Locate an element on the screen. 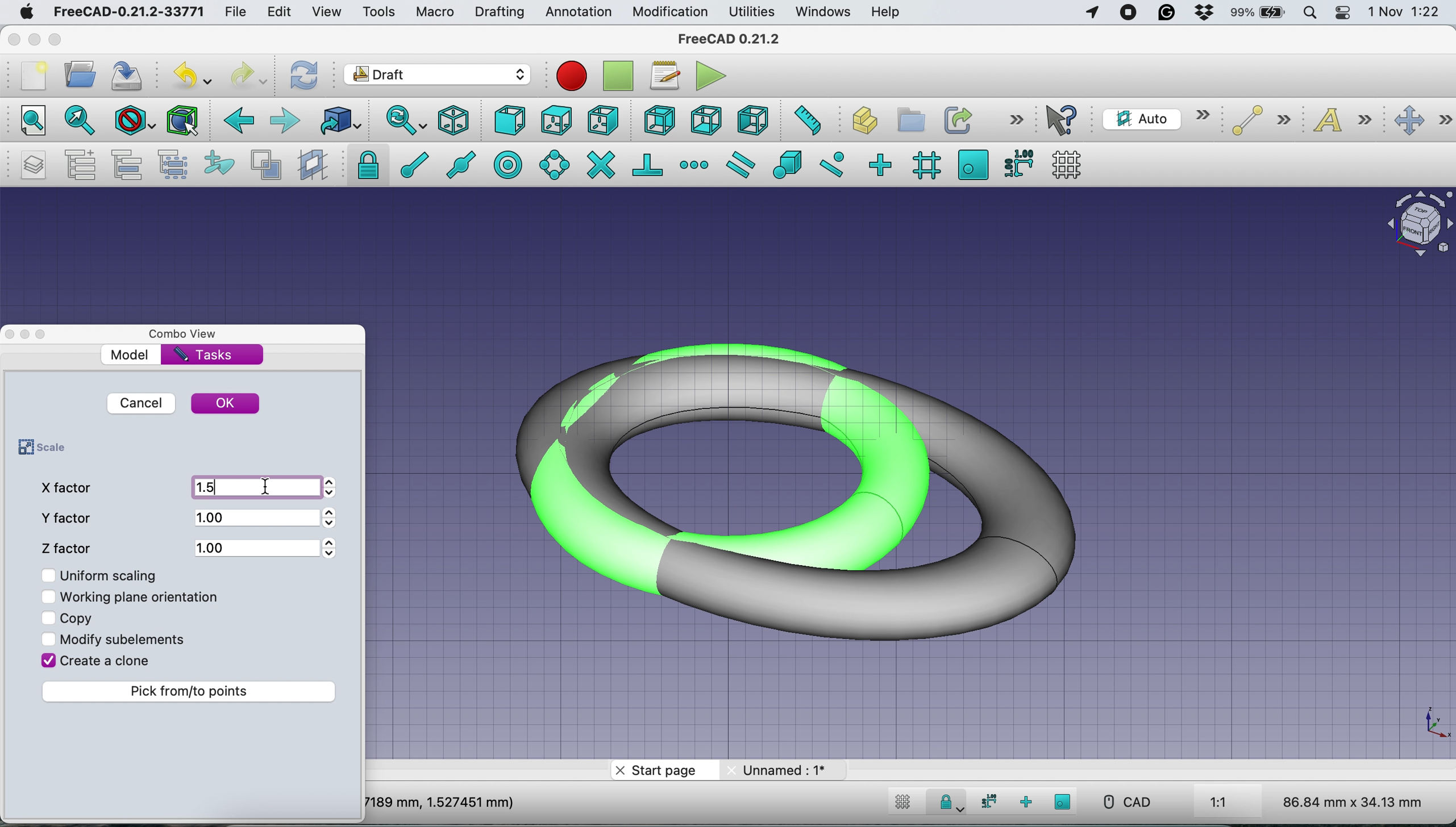 The image size is (1456, 827). snap ortho is located at coordinates (1024, 801).